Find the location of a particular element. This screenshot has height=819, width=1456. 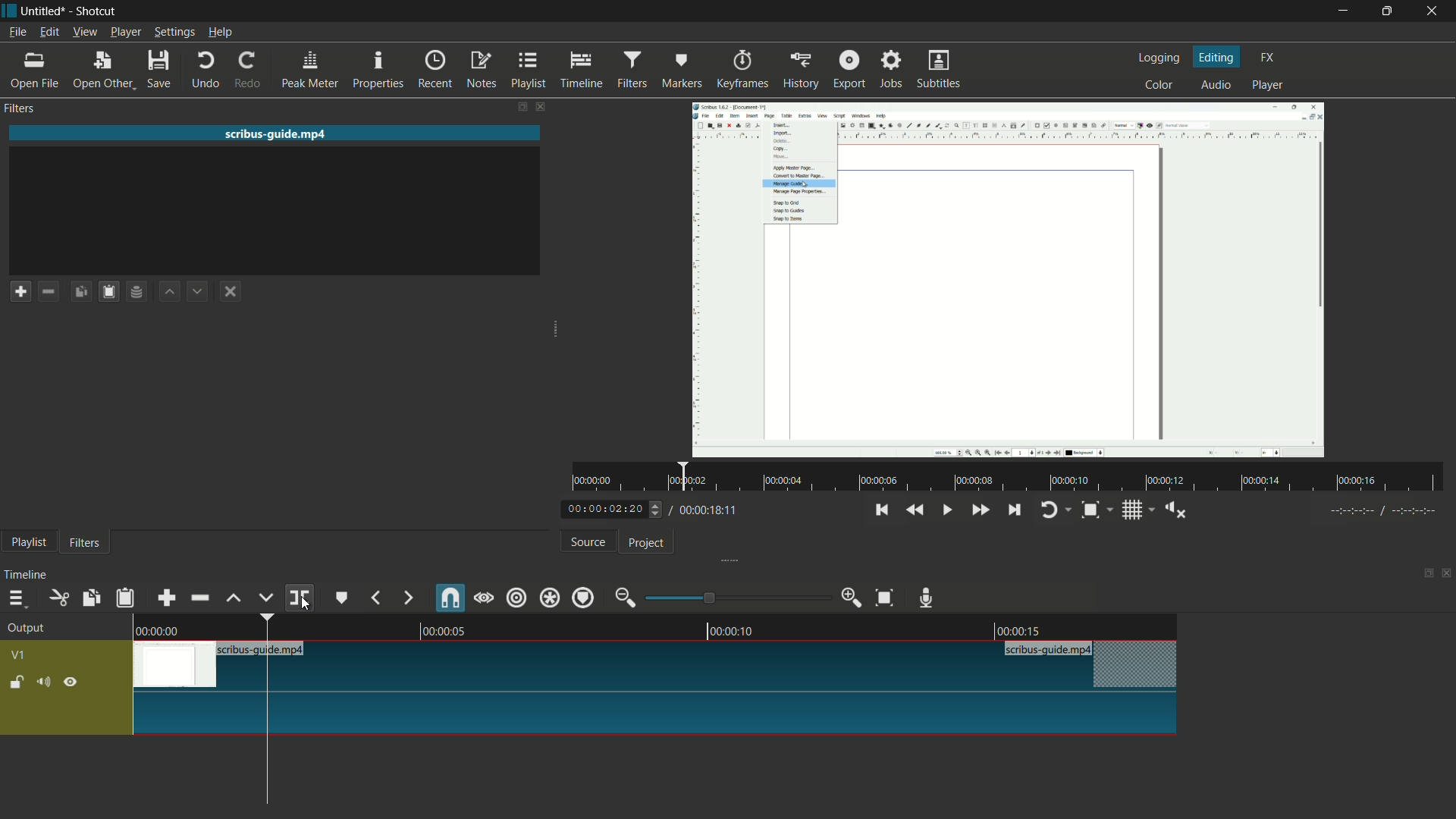

player menu is located at coordinates (125, 32).